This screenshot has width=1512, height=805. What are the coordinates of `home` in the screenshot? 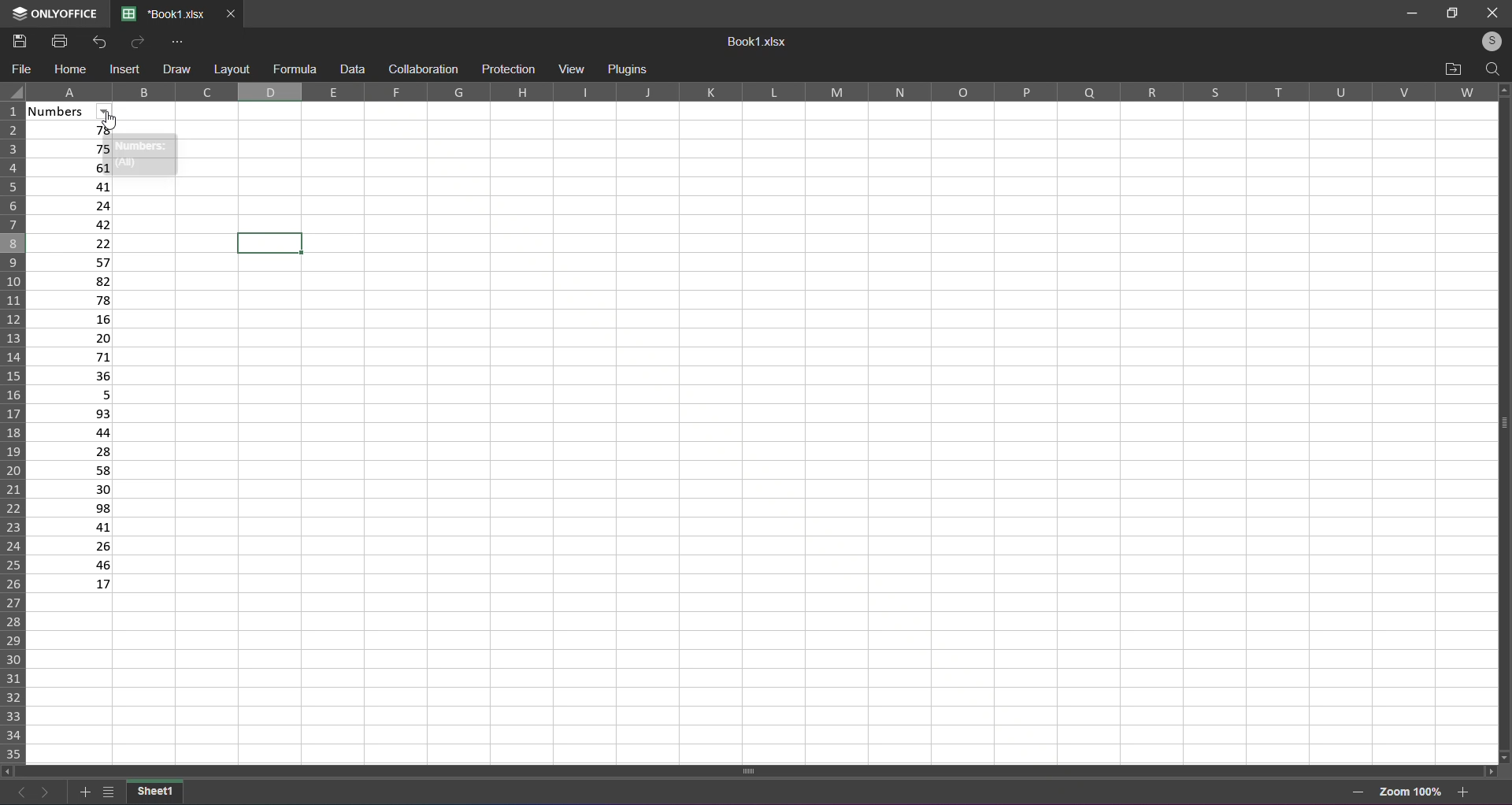 It's located at (71, 69).